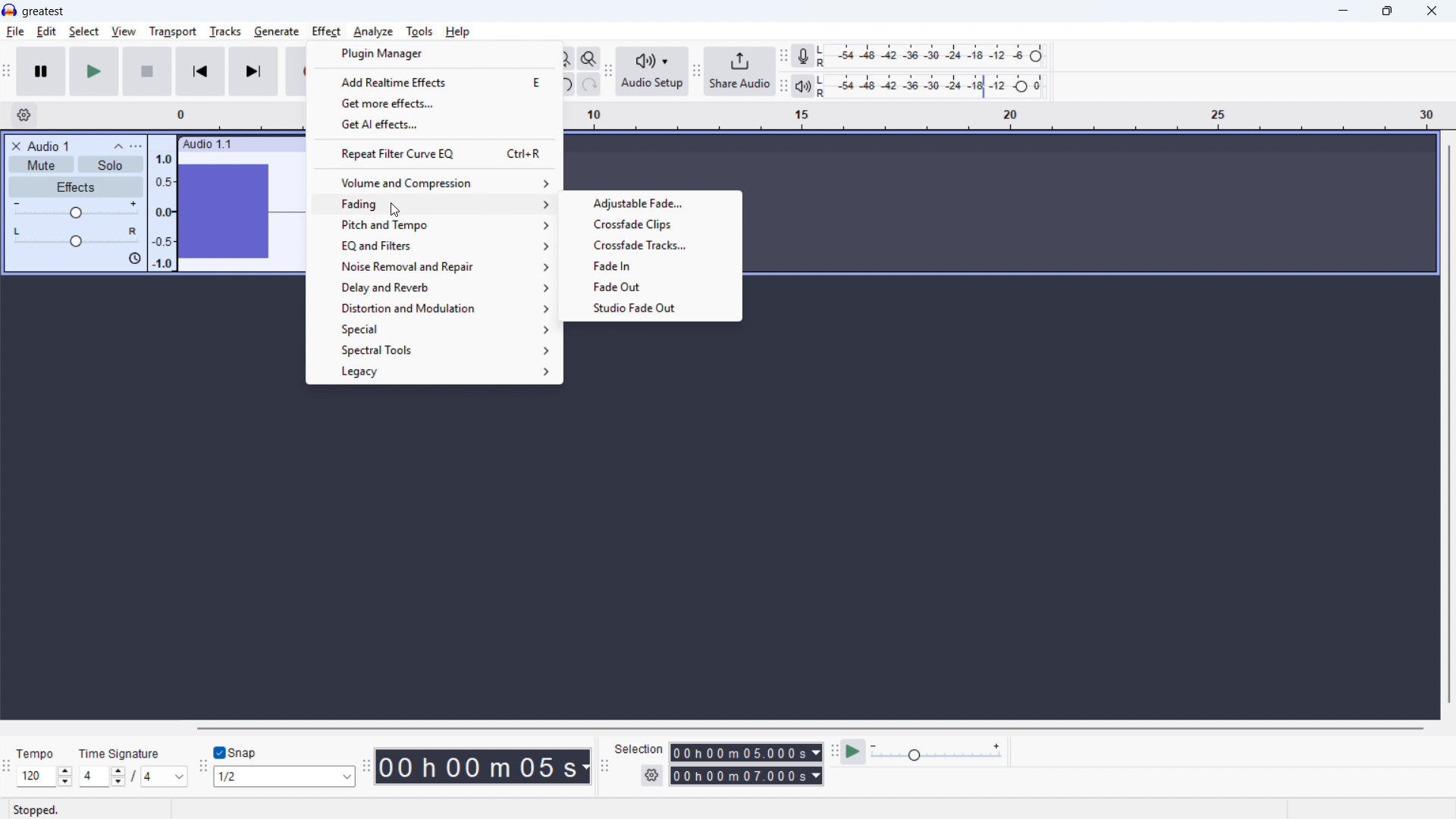 The width and height of the screenshot is (1456, 819). Describe the element at coordinates (76, 211) in the screenshot. I see `Gain ` at that location.